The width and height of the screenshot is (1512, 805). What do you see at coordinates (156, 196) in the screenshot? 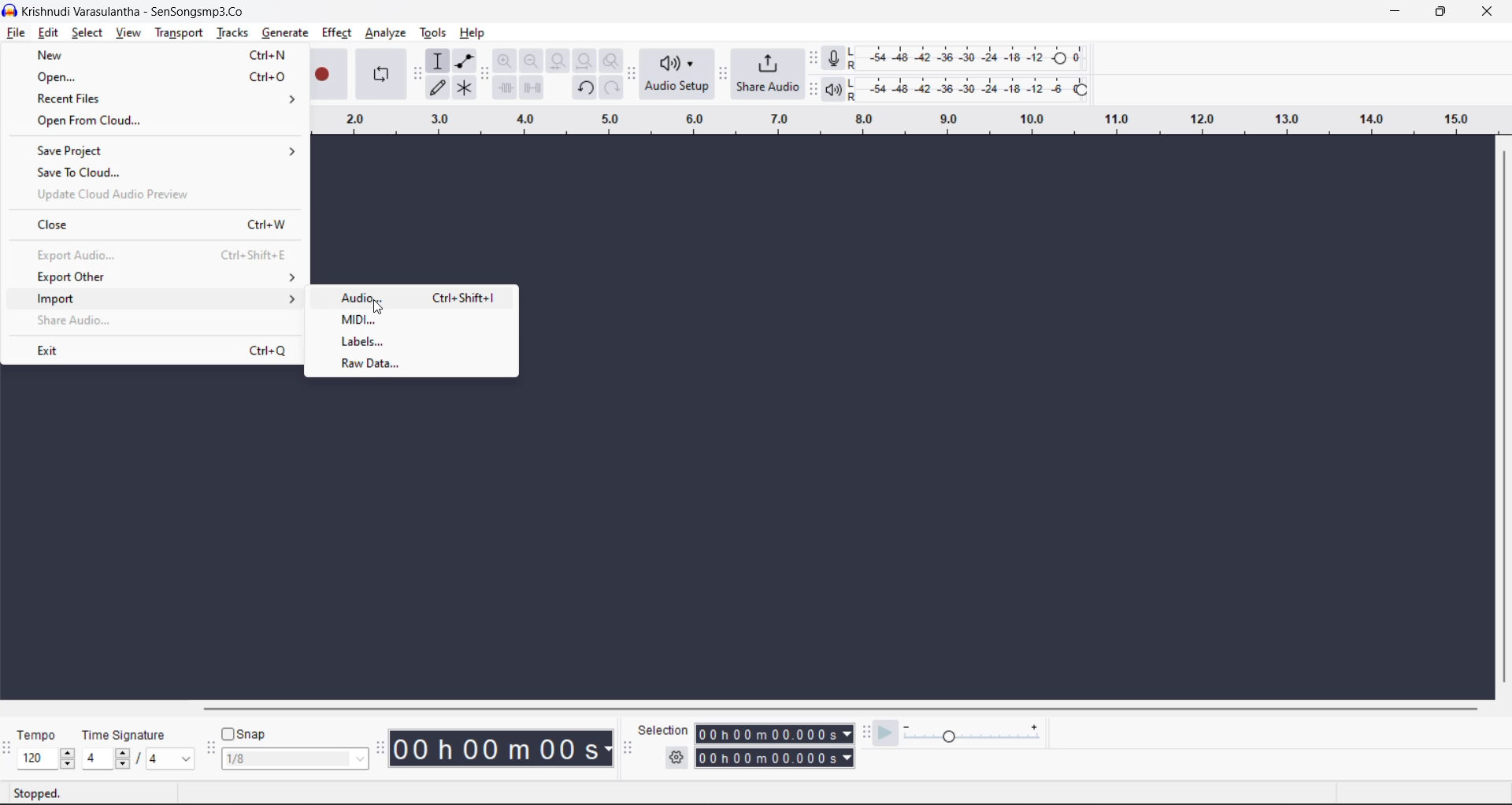
I see `update cloud audio preview` at bounding box center [156, 196].